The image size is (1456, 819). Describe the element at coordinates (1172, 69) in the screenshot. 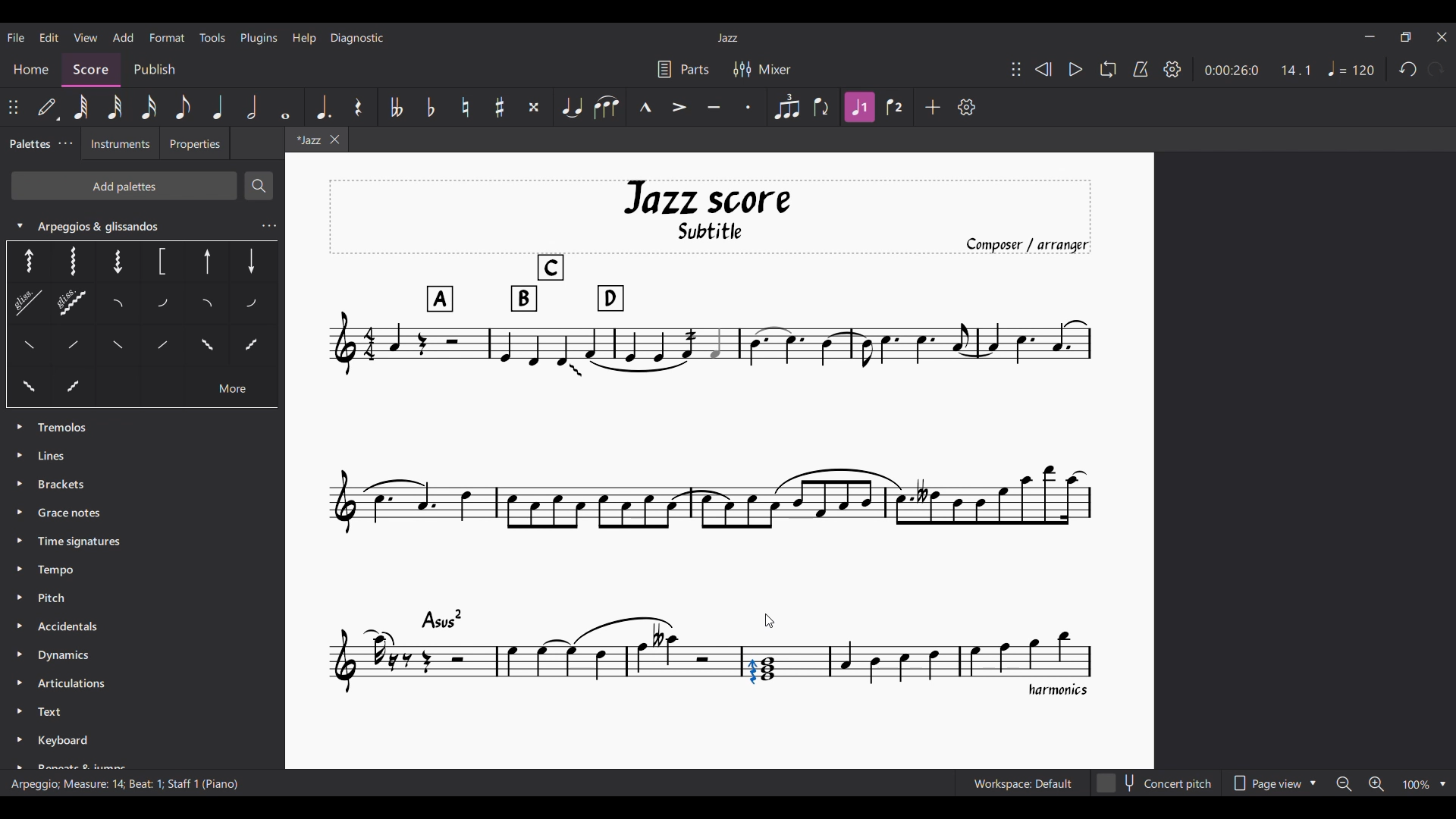

I see `Settings` at that location.